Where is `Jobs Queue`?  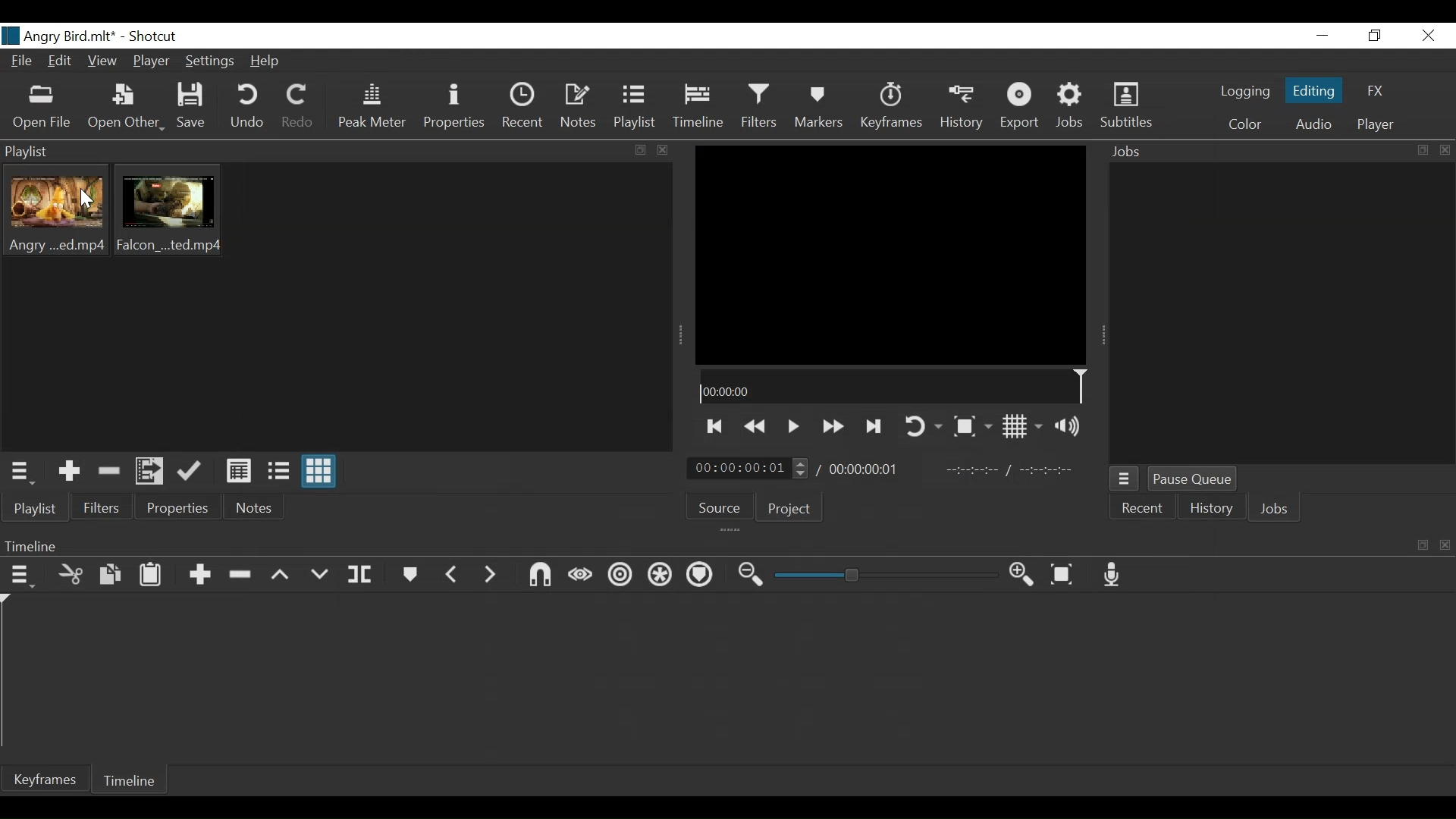 Jobs Queue is located at coordinates (1125, 479).